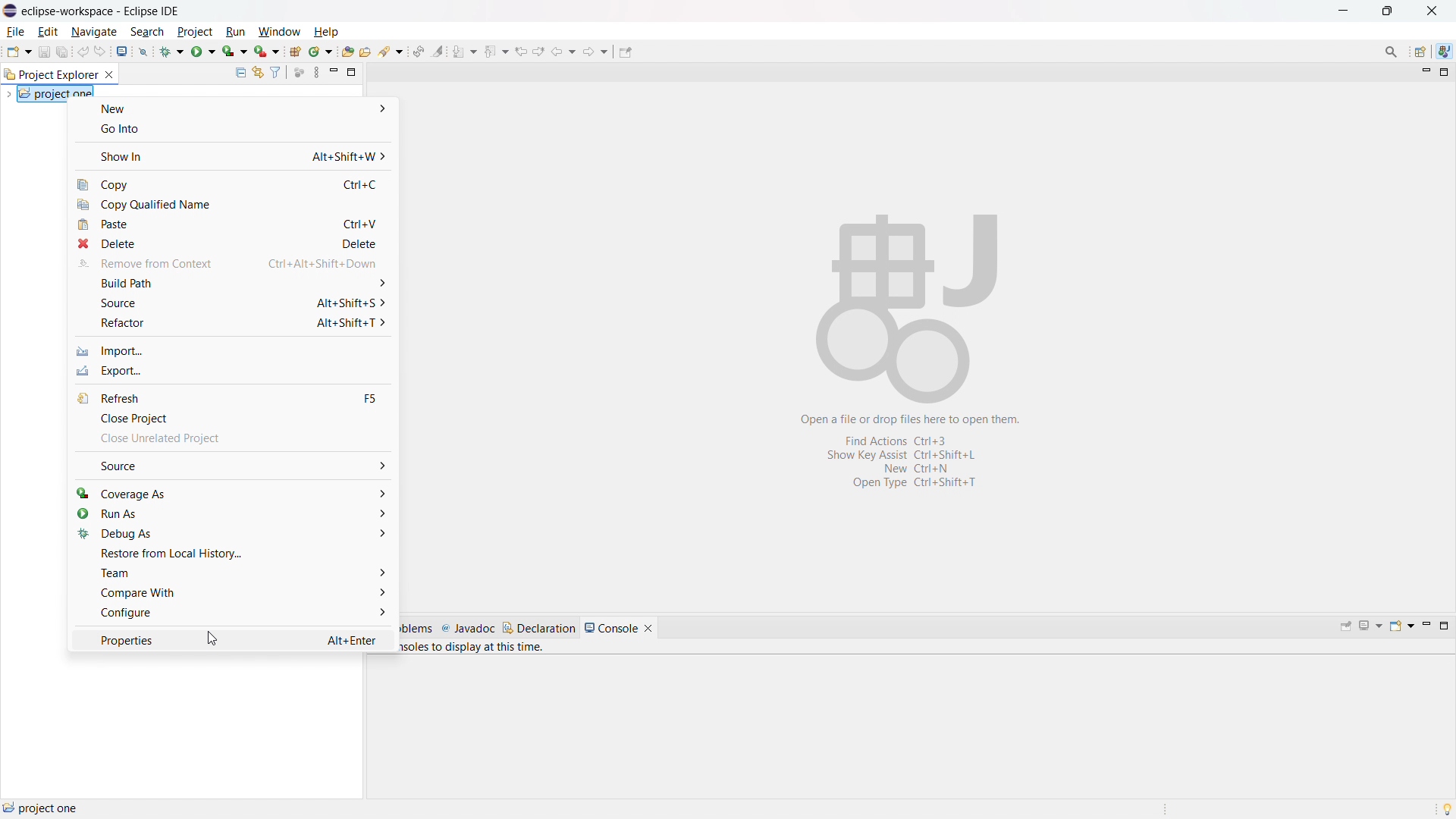  What do you see at coordinates (1401, 626) in the screenshot?
I see `open console` at bounding box center [1401, 626].